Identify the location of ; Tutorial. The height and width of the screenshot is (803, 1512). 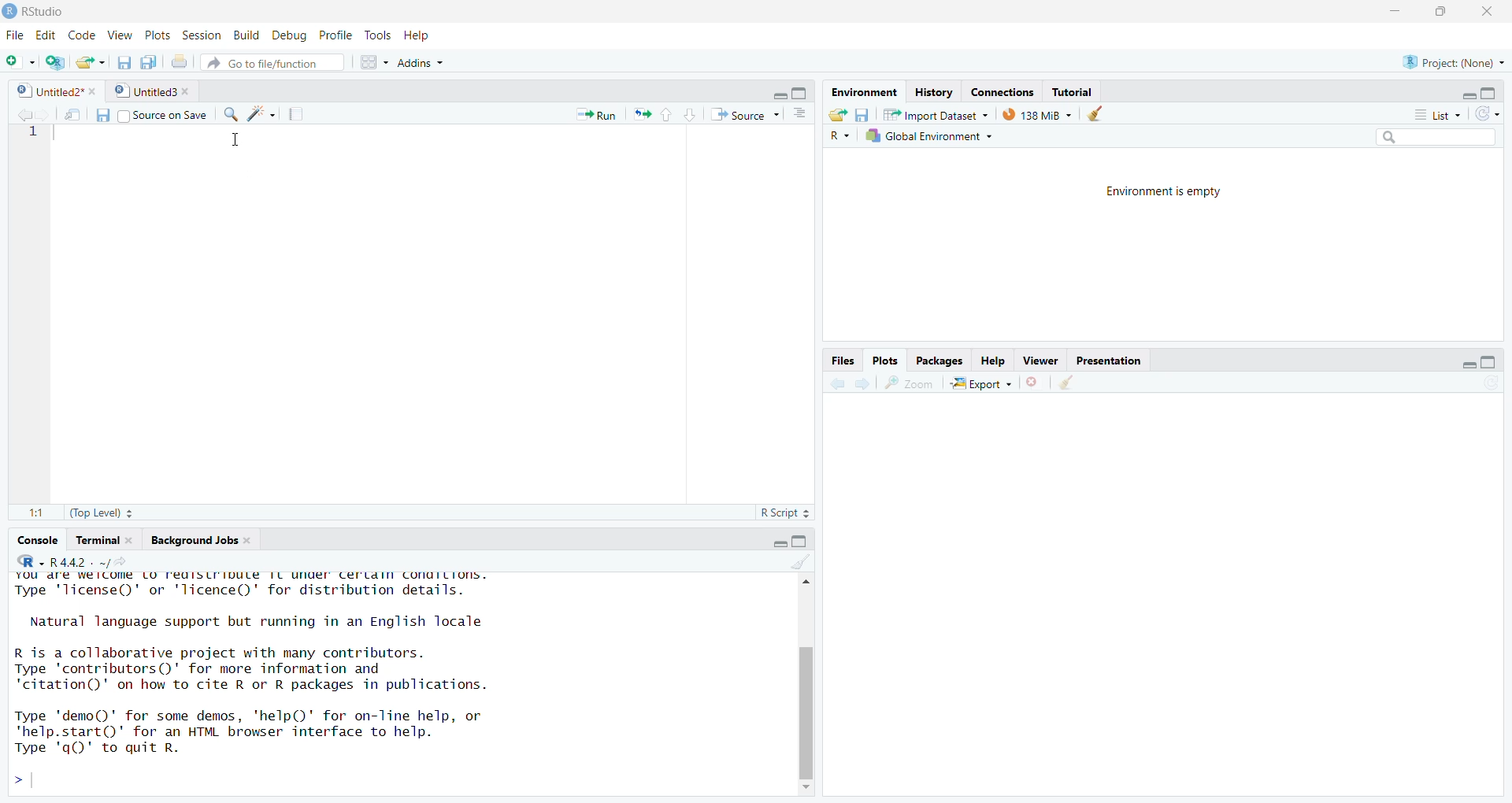
(1083, 90).